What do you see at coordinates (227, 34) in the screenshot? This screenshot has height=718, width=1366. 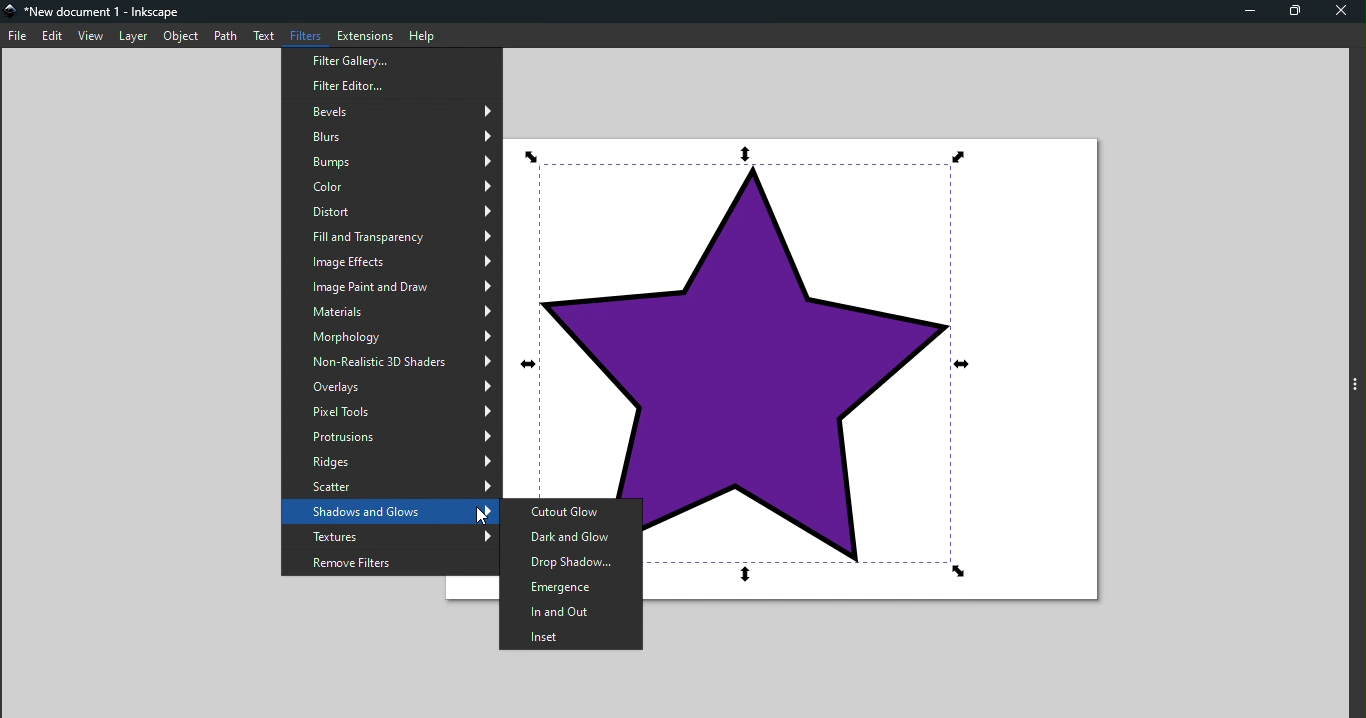 I see `Path` at bounding box center [227, 34].